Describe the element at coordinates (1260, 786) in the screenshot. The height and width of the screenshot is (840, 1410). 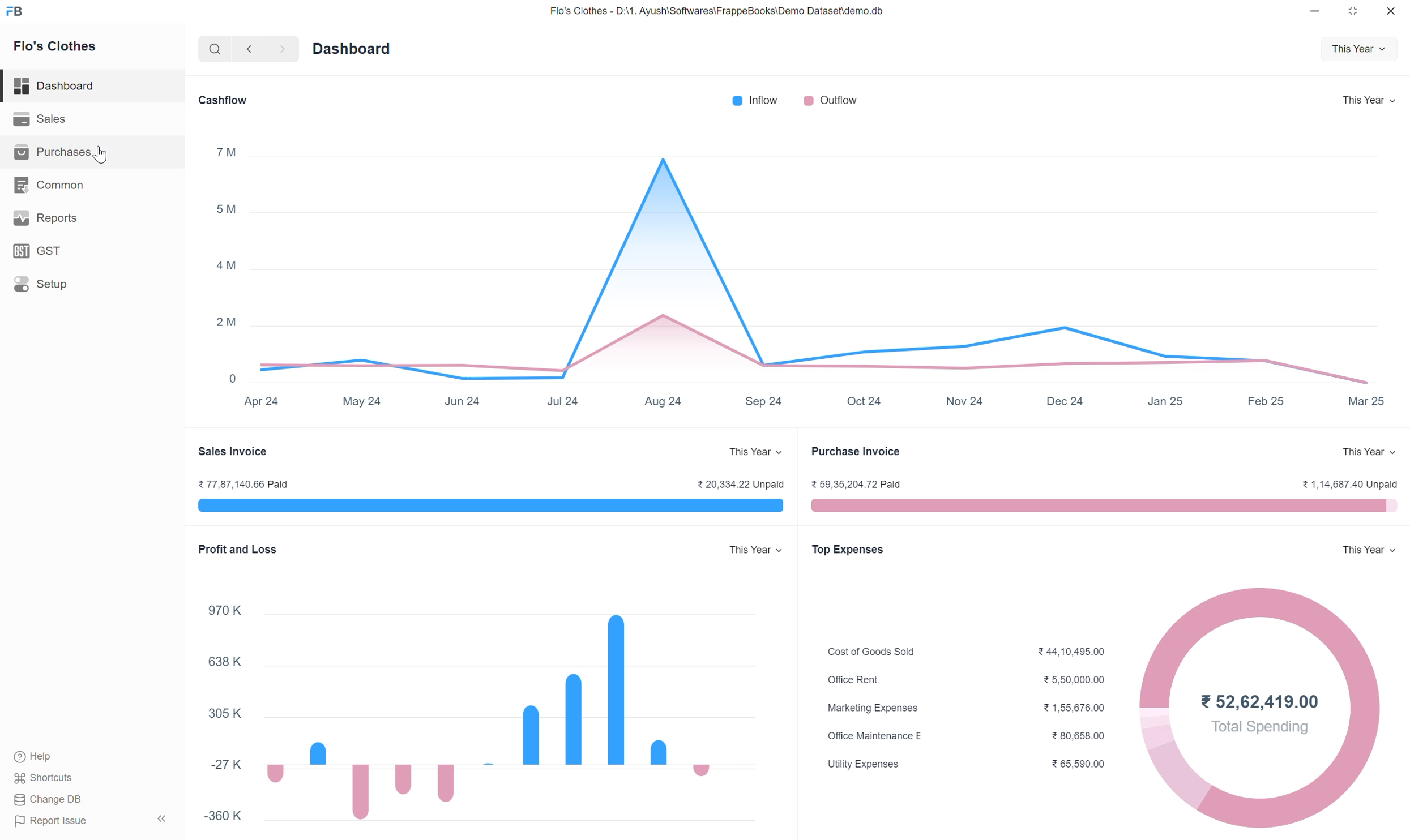
I see `donut chart` at that location.